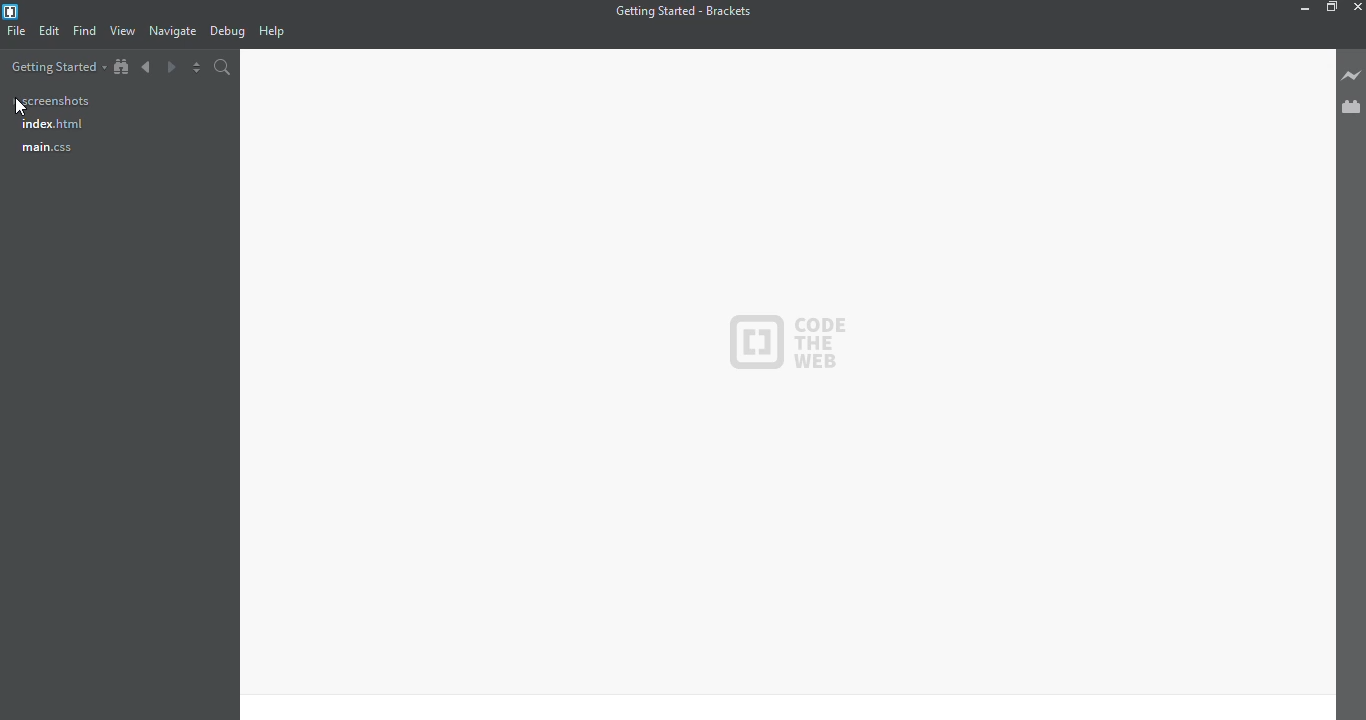  Describe the element at coordinates (227, 32) in the screenshot. I see `debug` at that location.